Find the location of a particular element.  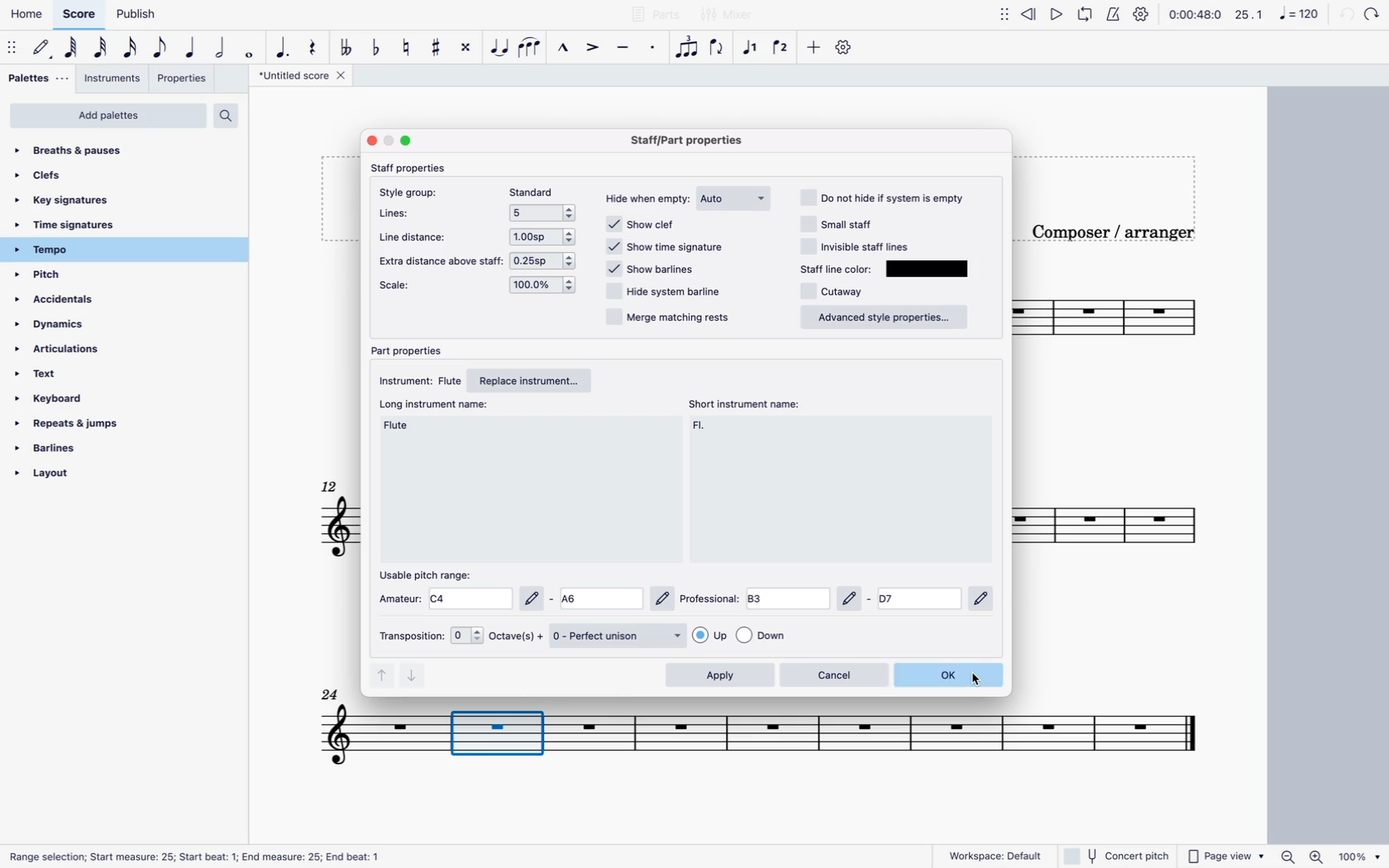

amateur is located at coordinates (525, 599).